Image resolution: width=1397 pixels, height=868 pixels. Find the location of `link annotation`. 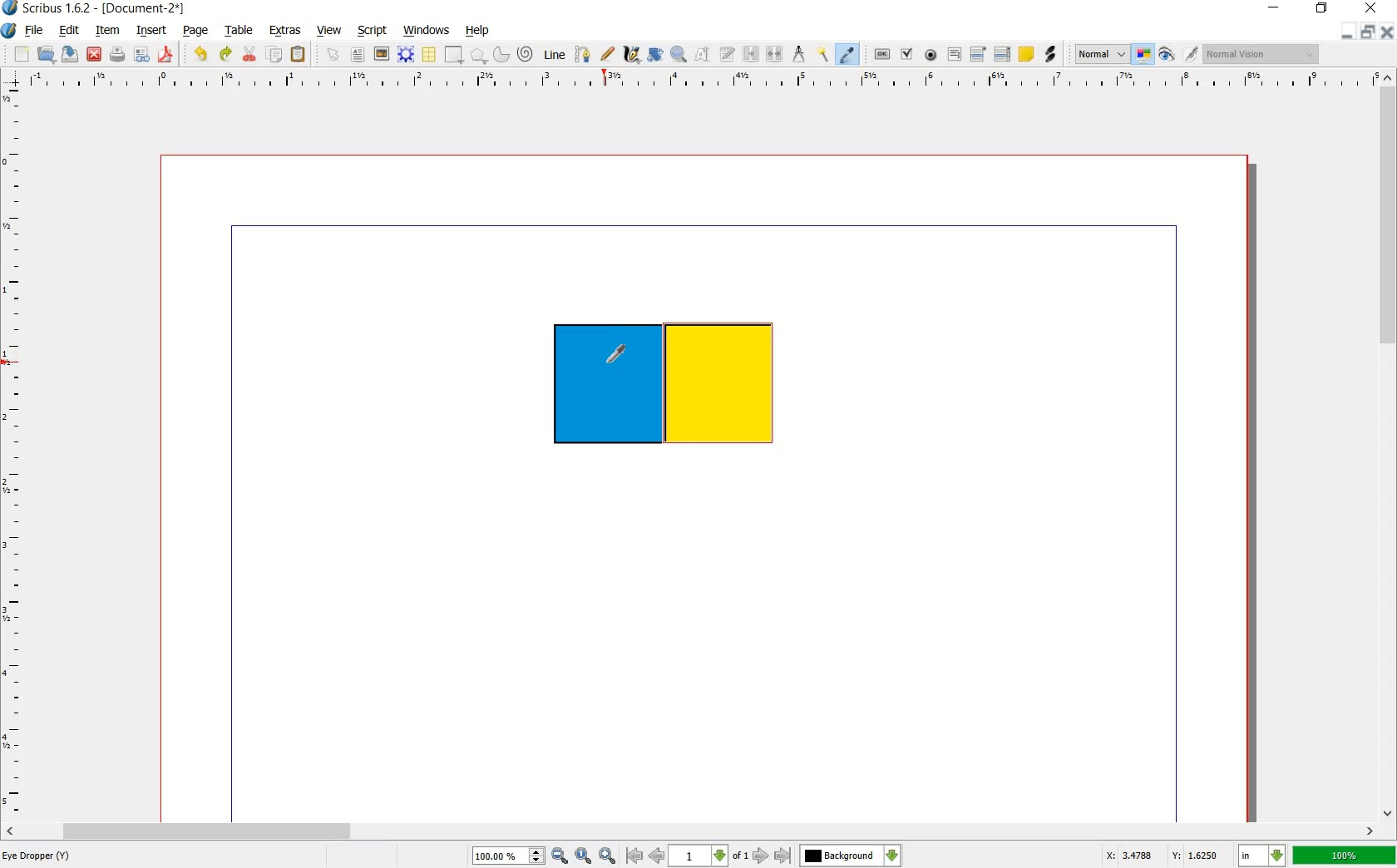

link annotation is located at coordinates (1051, 55).